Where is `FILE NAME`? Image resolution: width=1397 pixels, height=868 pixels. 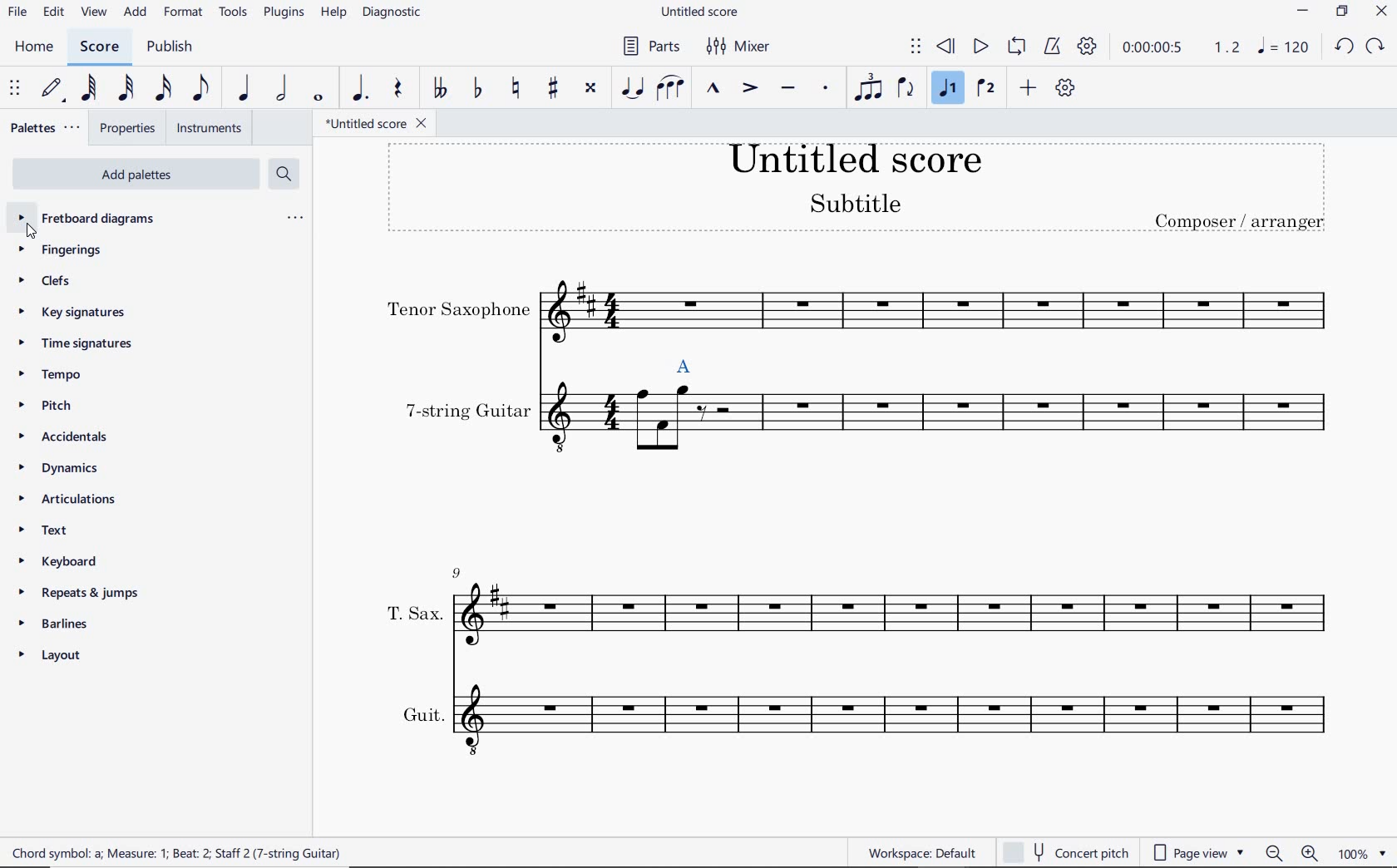
FILE NAME is located at coordinates (704, 12).